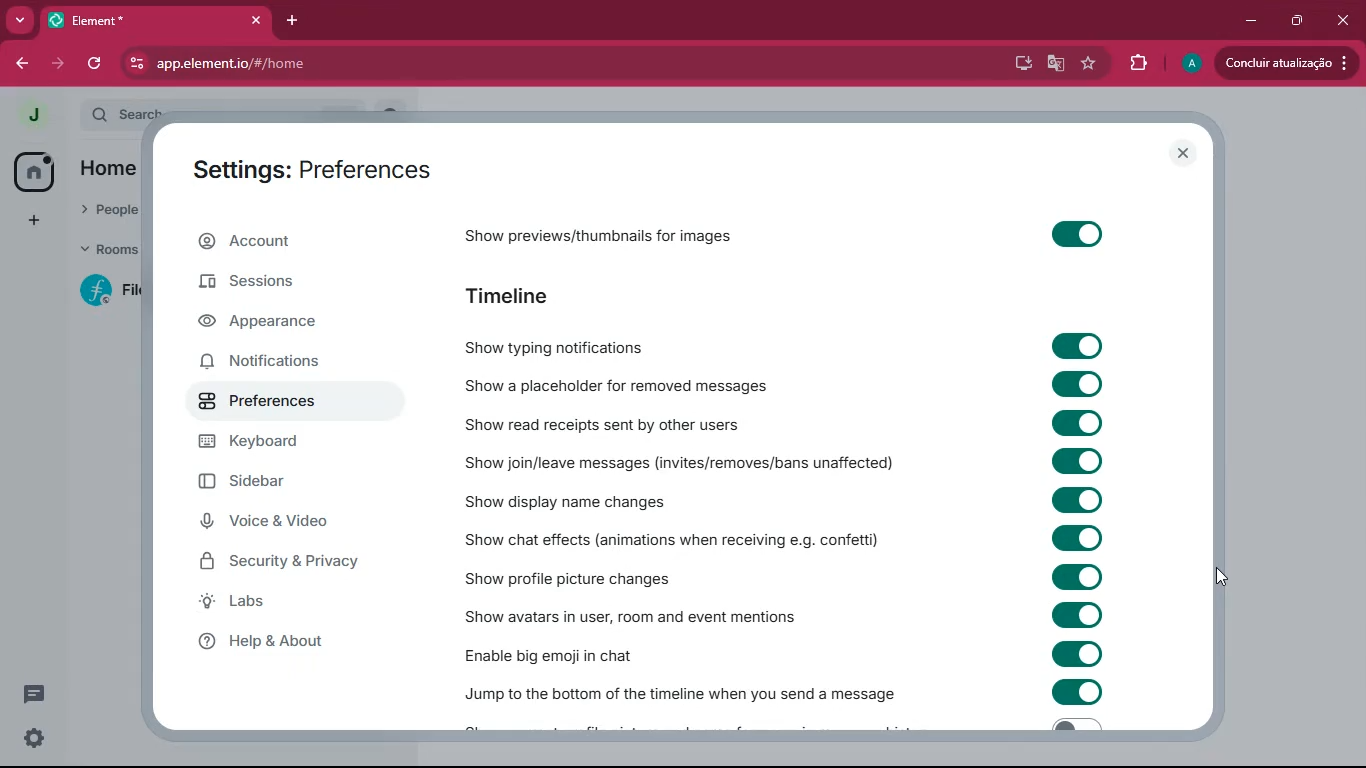  What do you see at coordinates (582, 651) in the screenshot?
I see `enable big emoji in chat` at bounding box center [582, 651].